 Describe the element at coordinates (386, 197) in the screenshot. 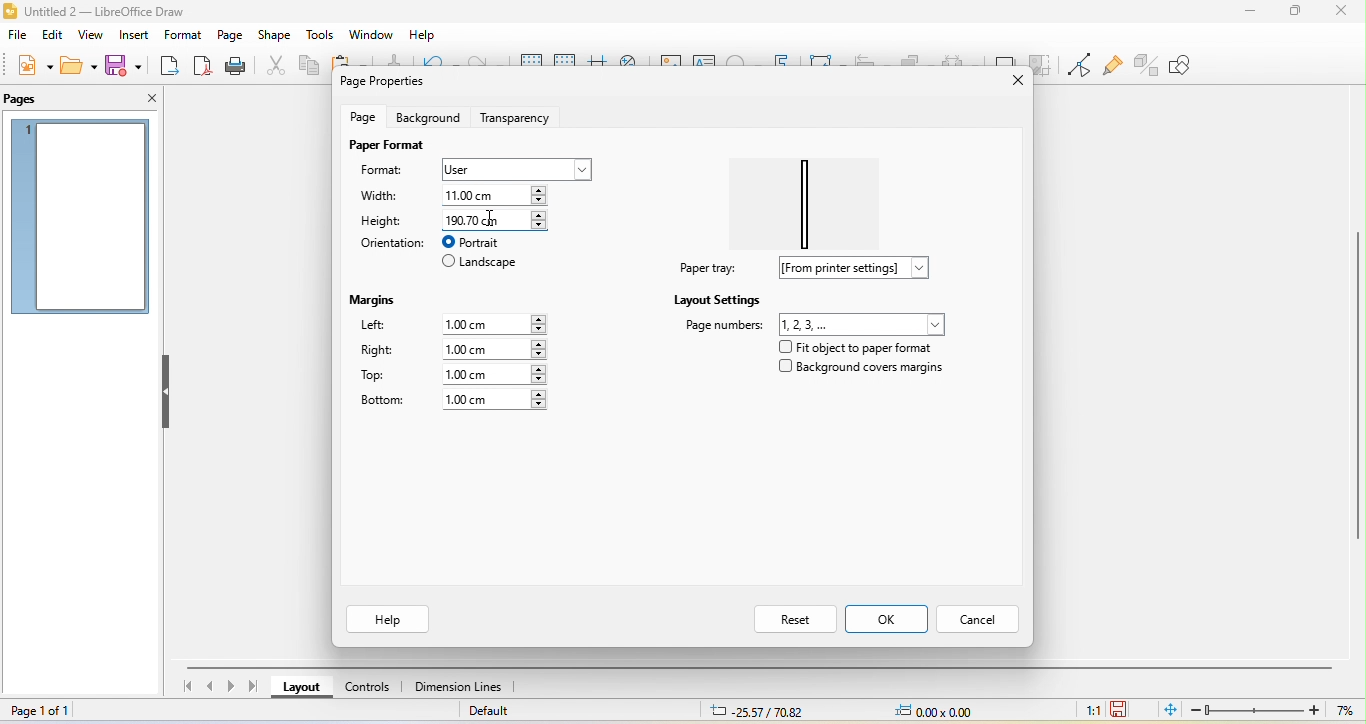

I see `width` at that location.